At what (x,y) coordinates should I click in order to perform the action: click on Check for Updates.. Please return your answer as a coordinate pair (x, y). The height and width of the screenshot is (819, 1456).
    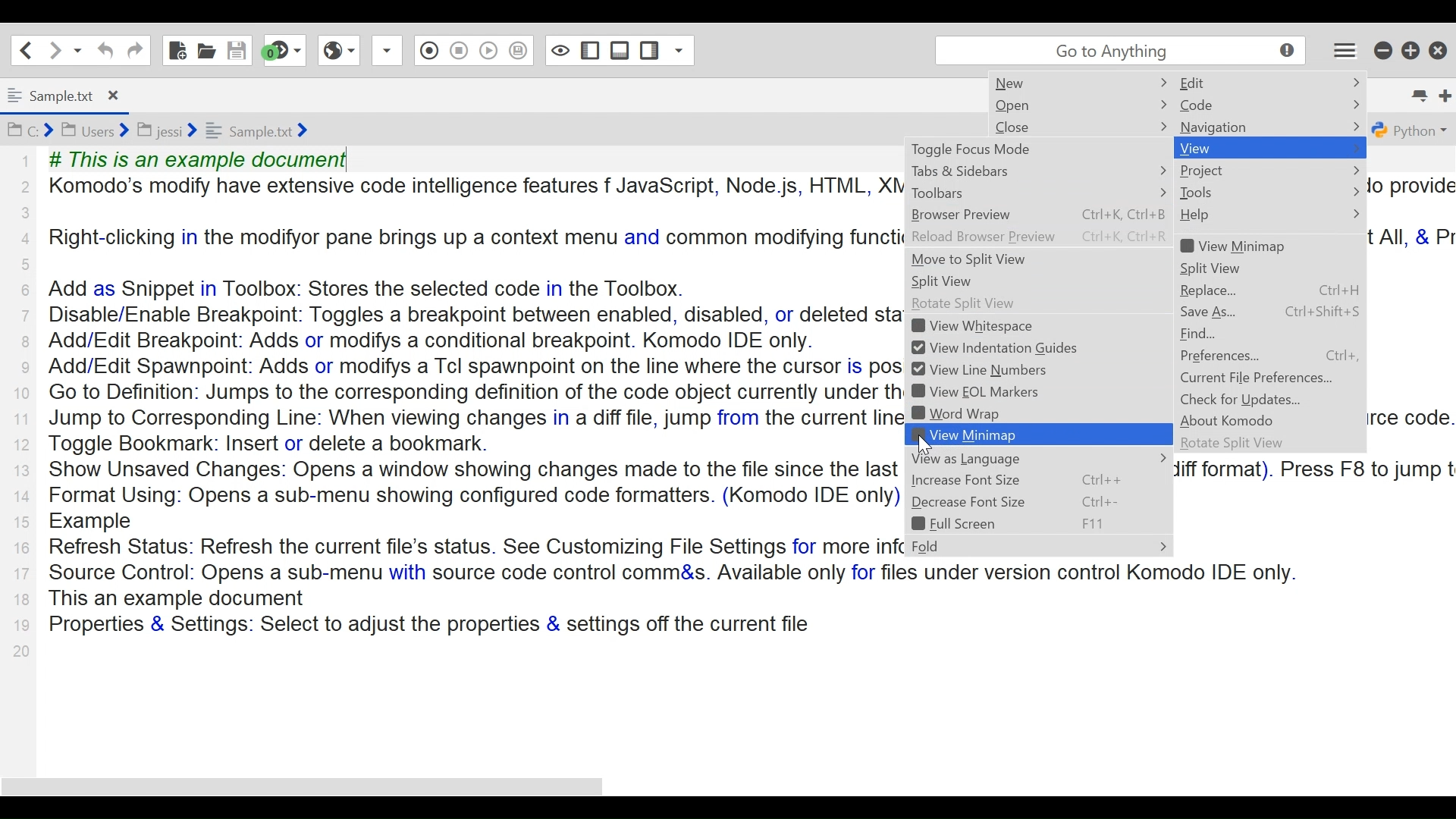
    Looking at the image, I should click on (1242, 399).